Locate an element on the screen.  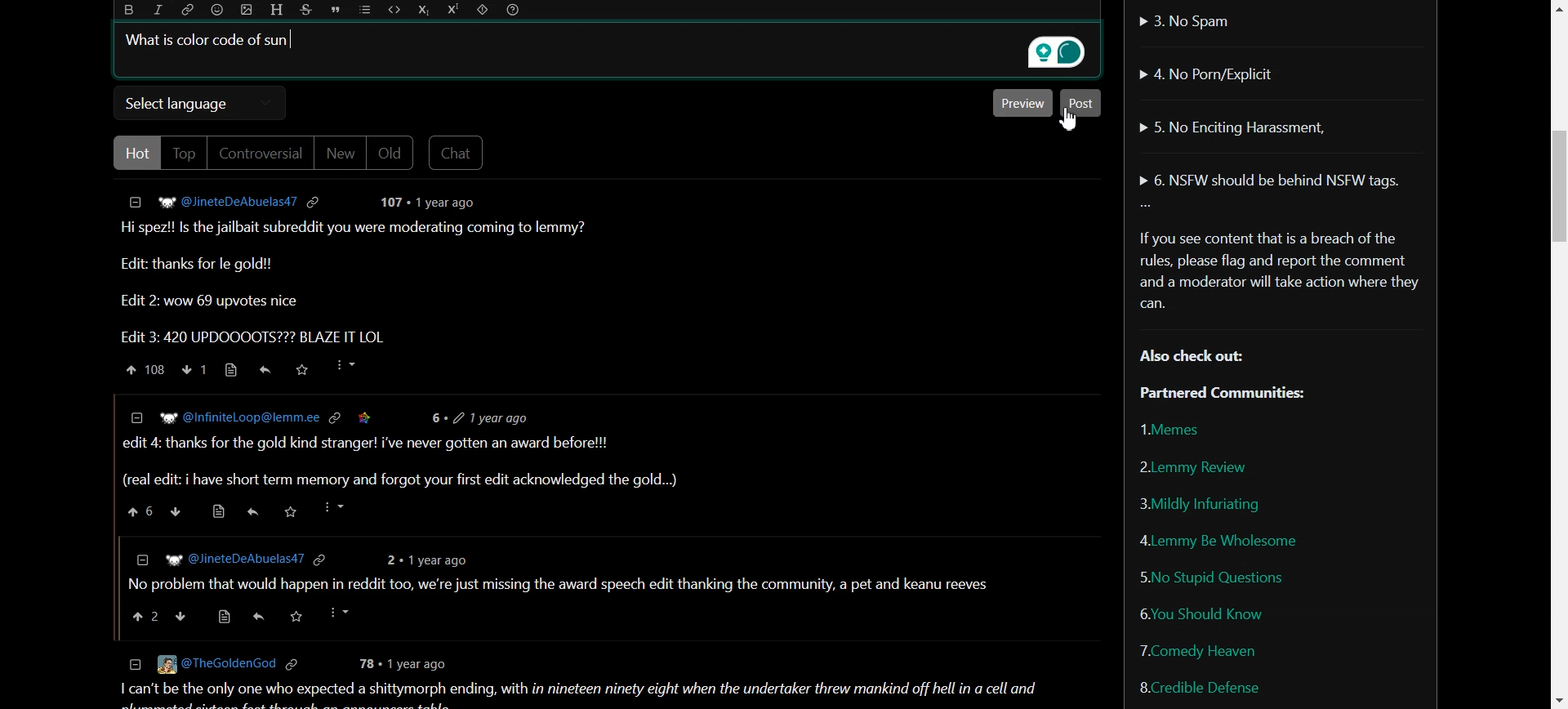
(real edit: i have short term memory and forgot your first edit acknowledged the gold...) is located at coordinates (403, 481).